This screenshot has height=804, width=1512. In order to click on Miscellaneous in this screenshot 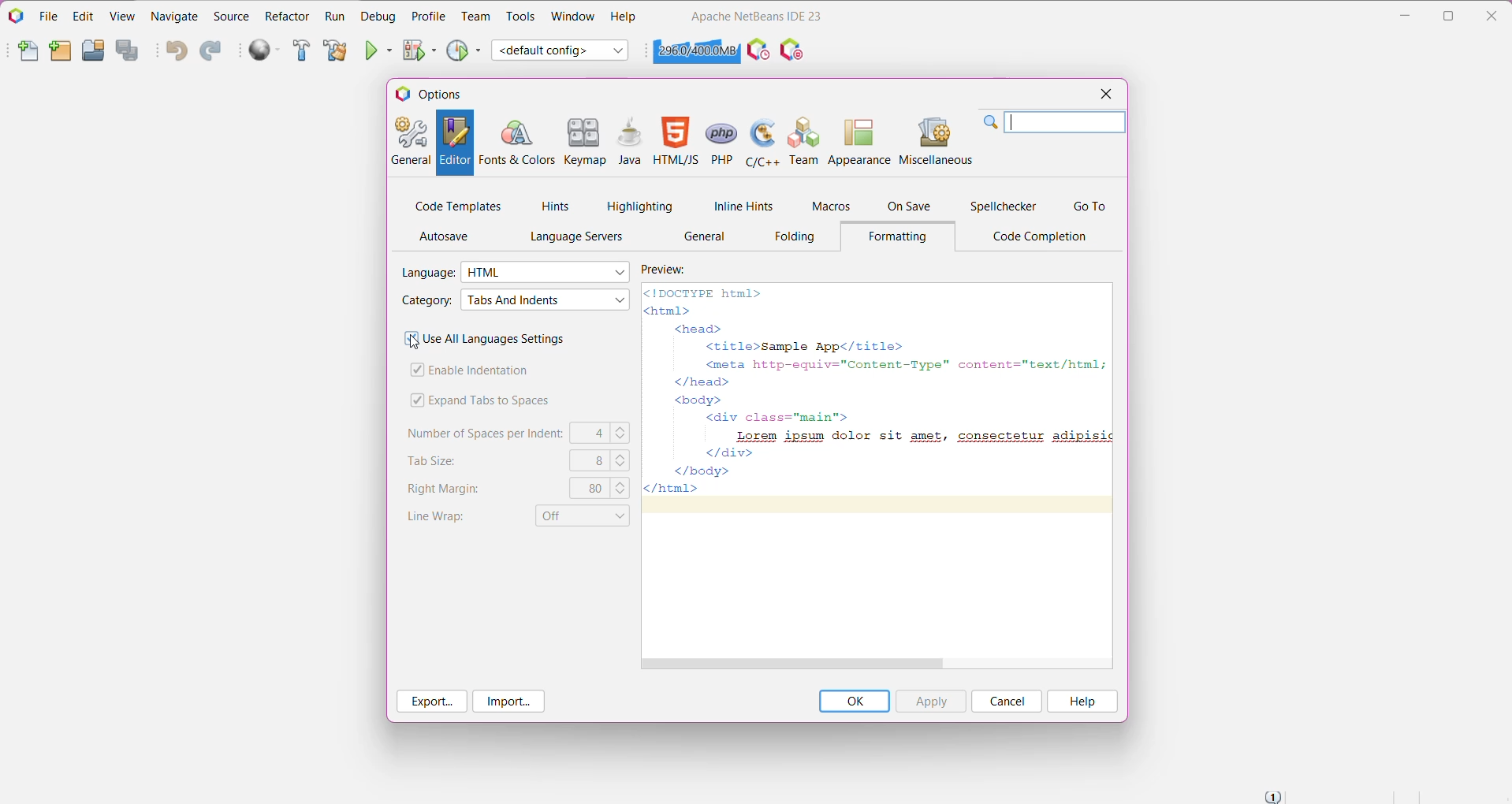, I will do `click(937, 140)`.